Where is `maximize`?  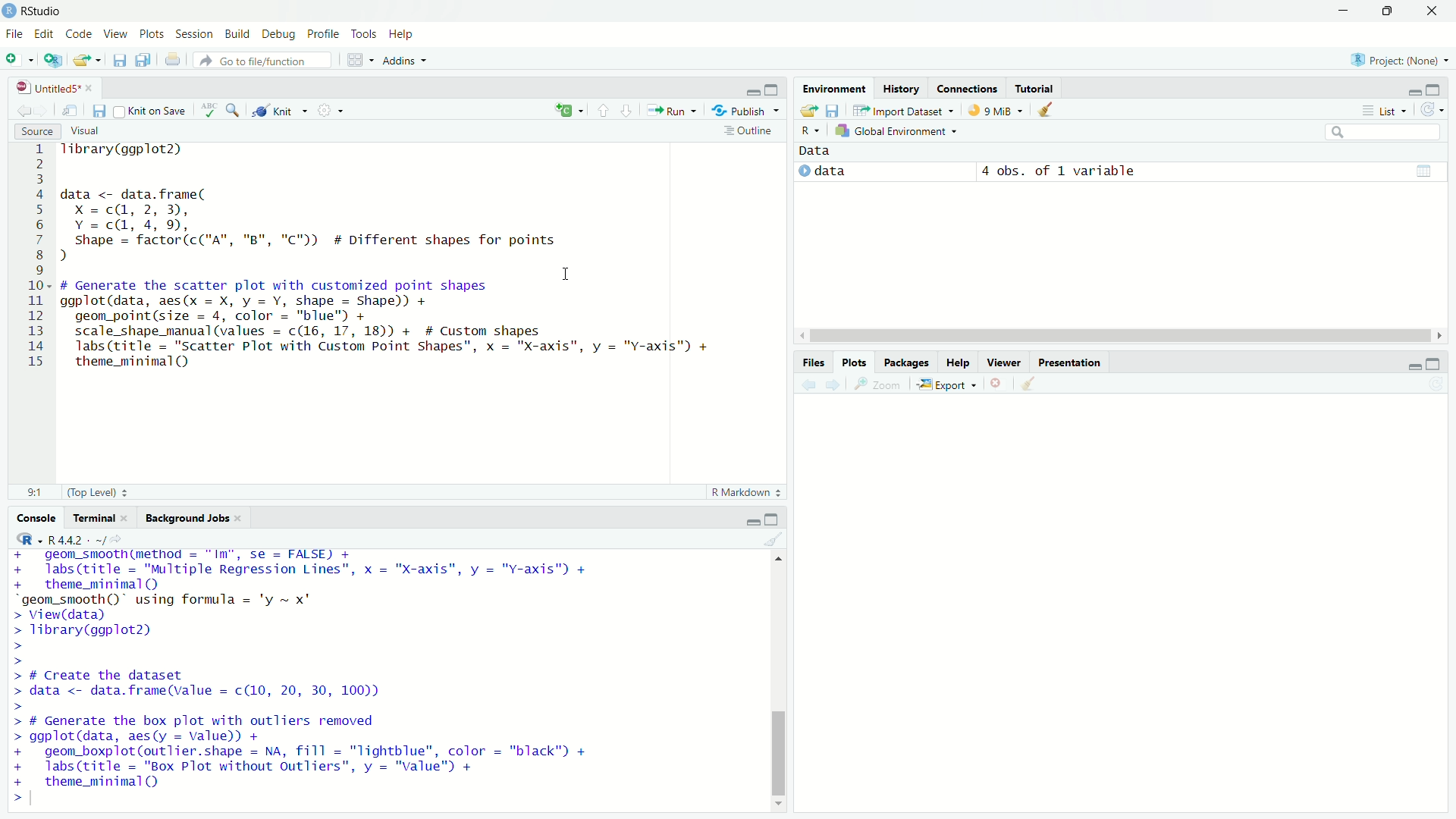
maximize is located at coordinates (773, 90).